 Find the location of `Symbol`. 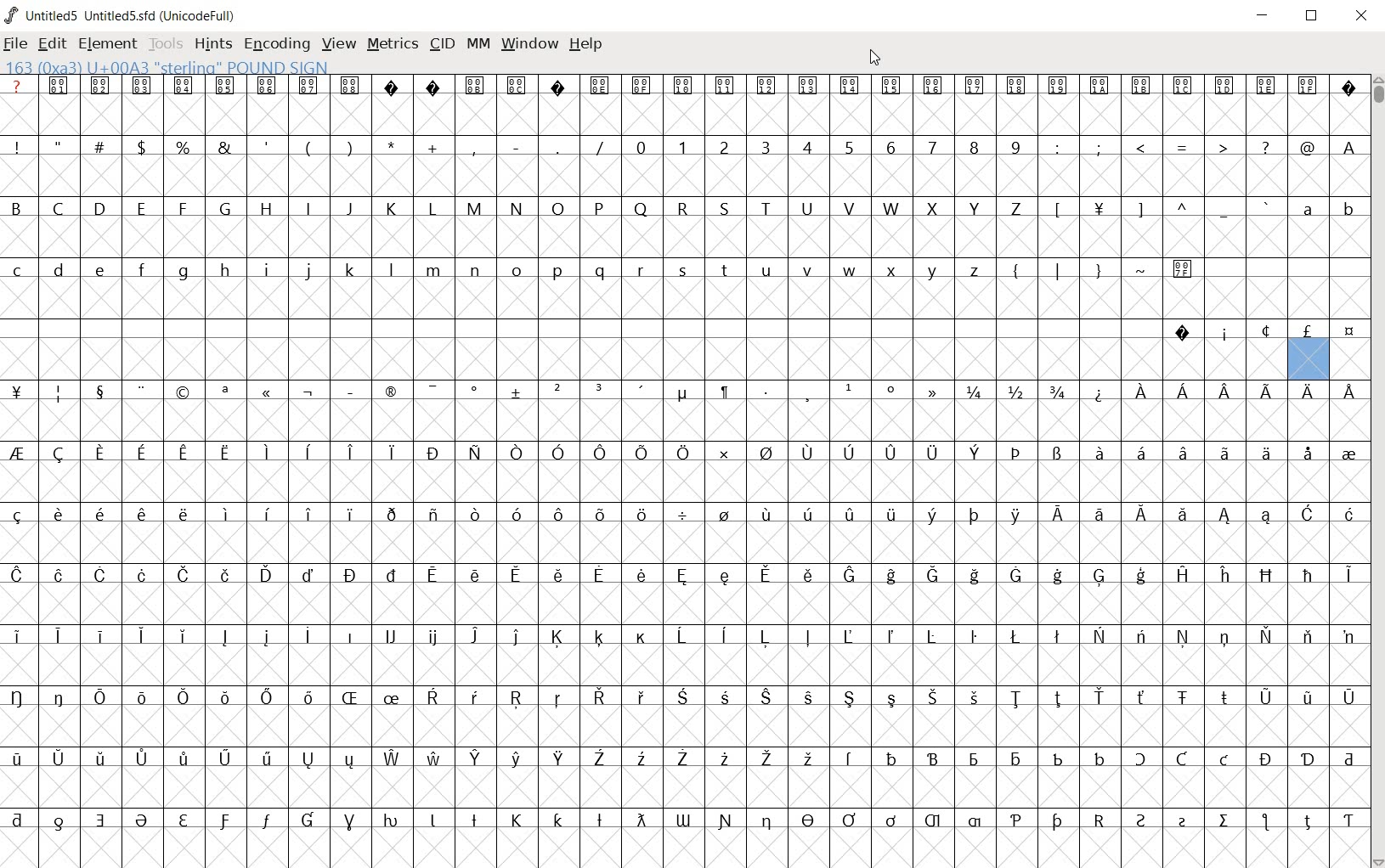

Symbol is located at coordinates (1307, 697).